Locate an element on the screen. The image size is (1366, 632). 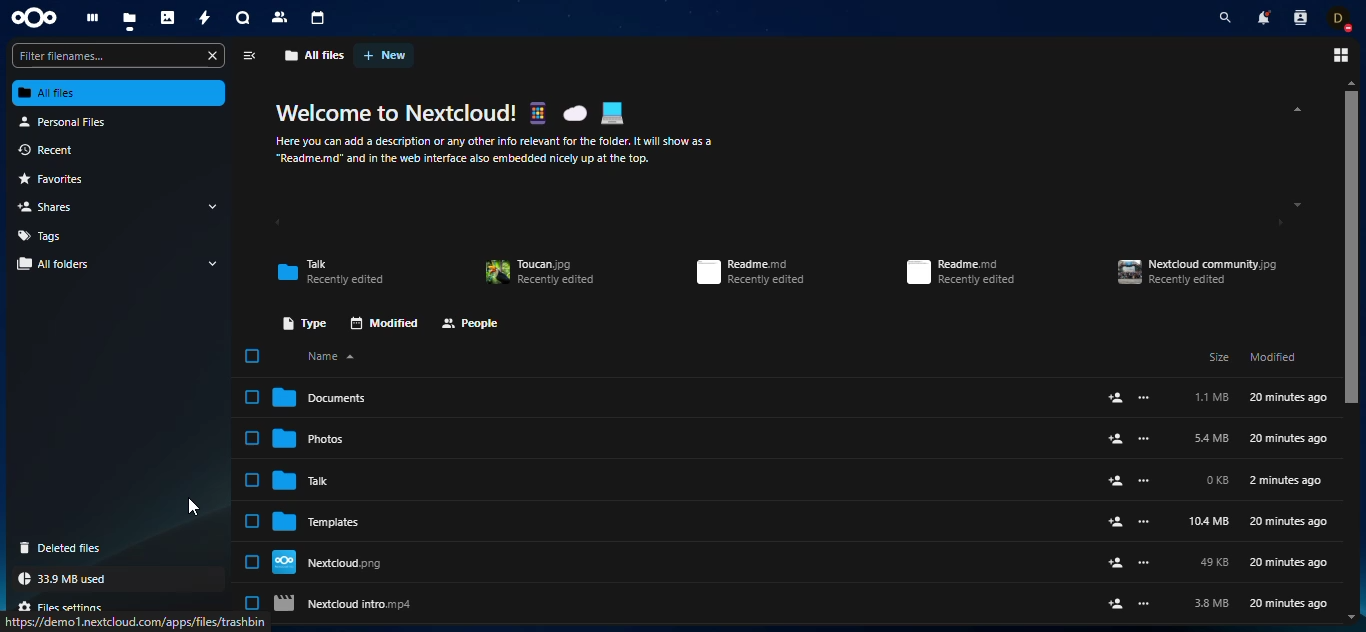
Nextcloud.png is located at coordinates (327, 562).